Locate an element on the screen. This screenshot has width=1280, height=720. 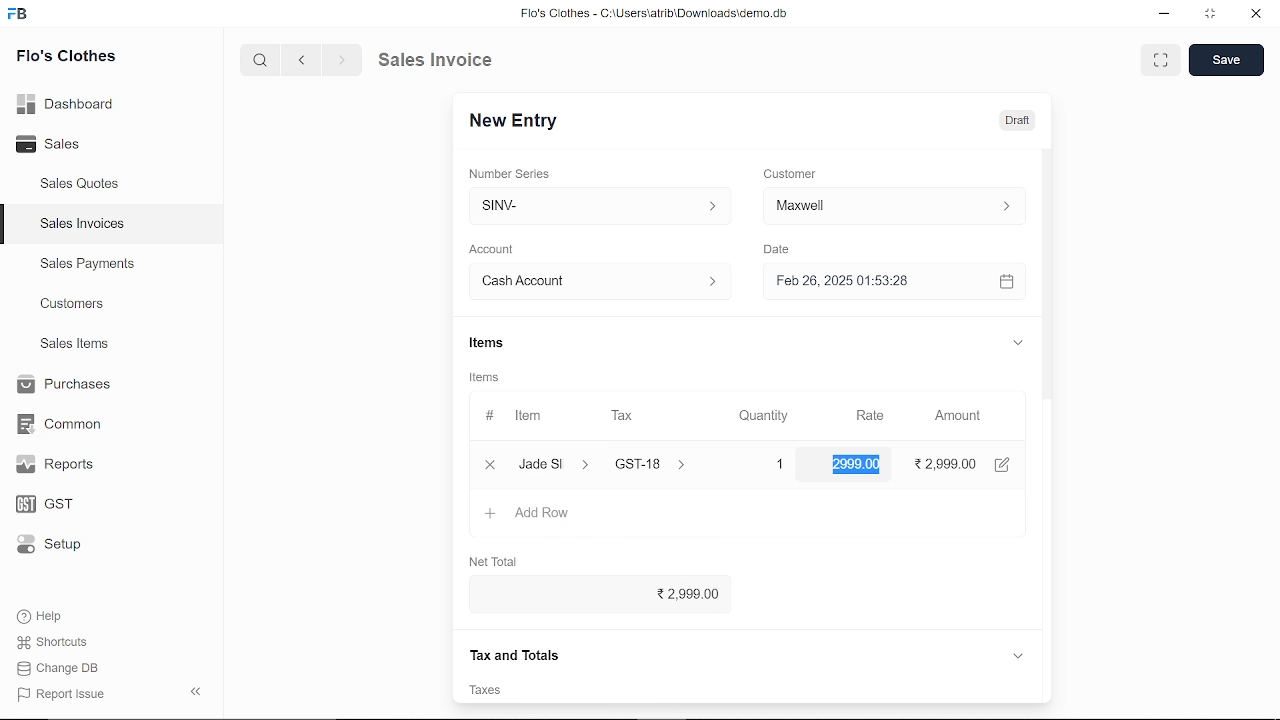
Net Total is located at coordinates (496, 558).